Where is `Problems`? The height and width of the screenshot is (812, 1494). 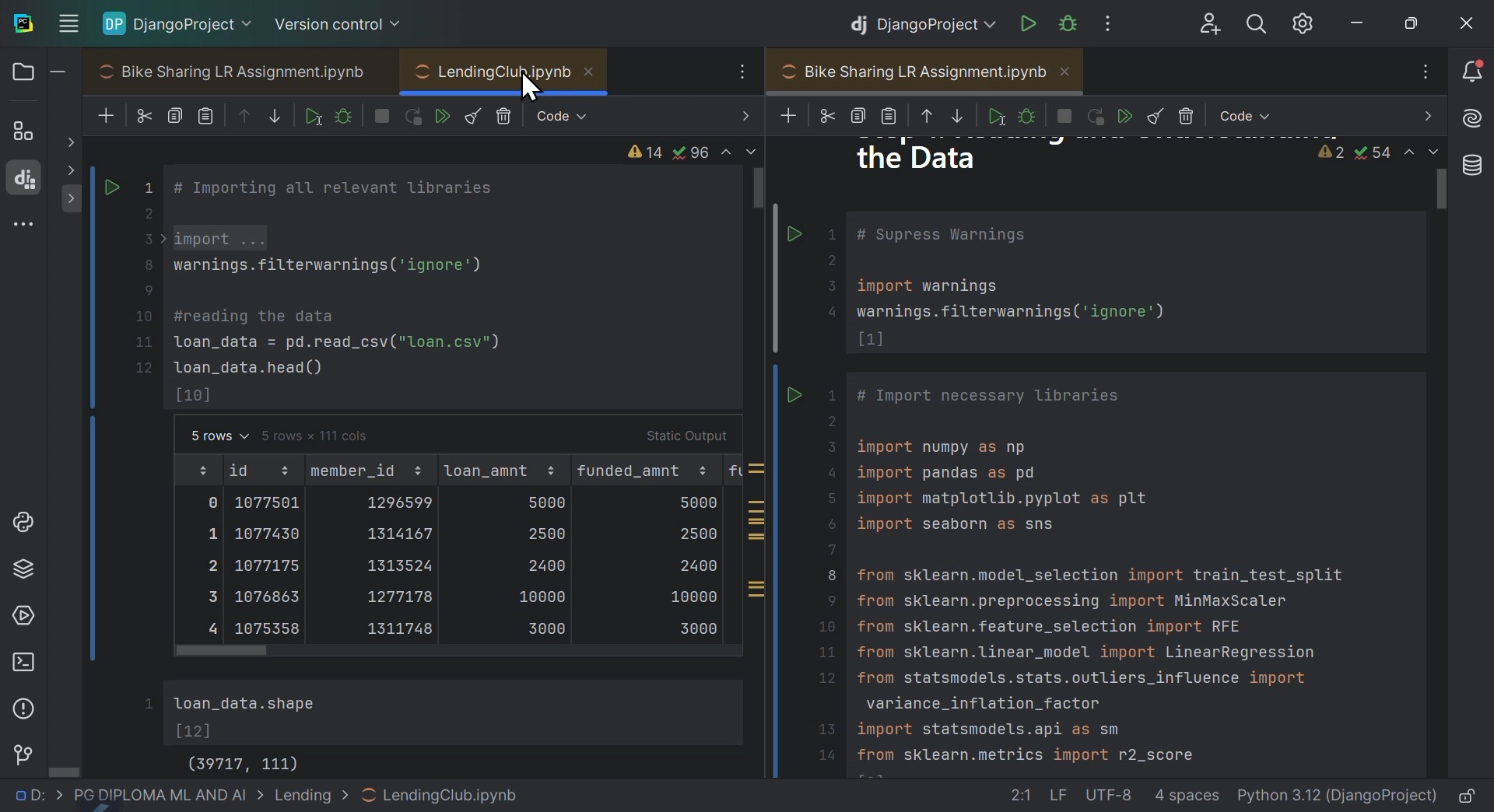
Problems is located at coordinates (23, 707).